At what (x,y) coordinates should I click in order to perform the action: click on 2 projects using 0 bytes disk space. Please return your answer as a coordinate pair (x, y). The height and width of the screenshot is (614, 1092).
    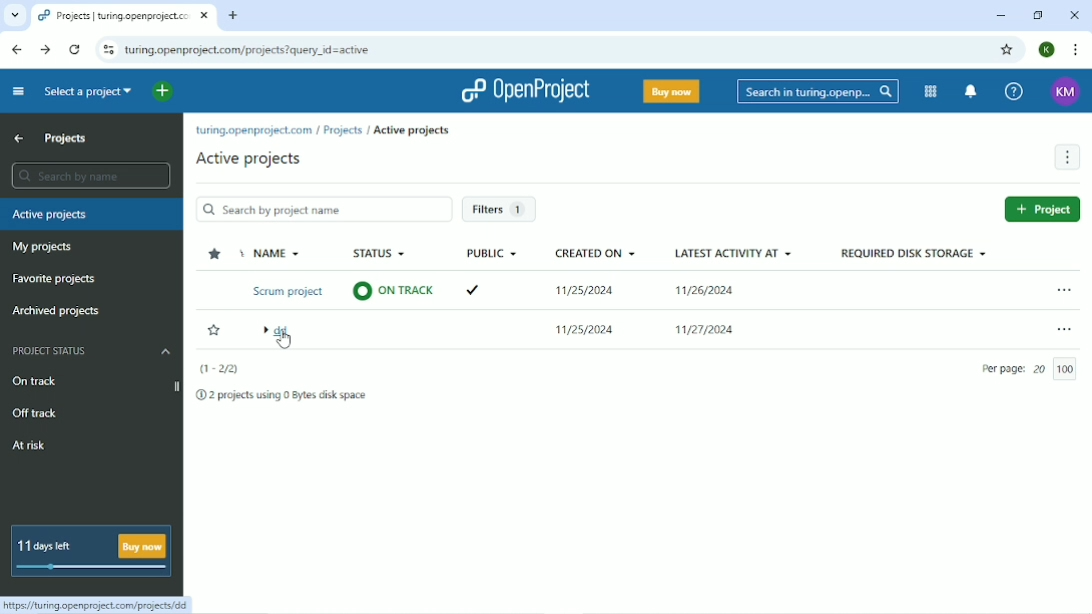
    Looking at the image, I should click on (288, 395).